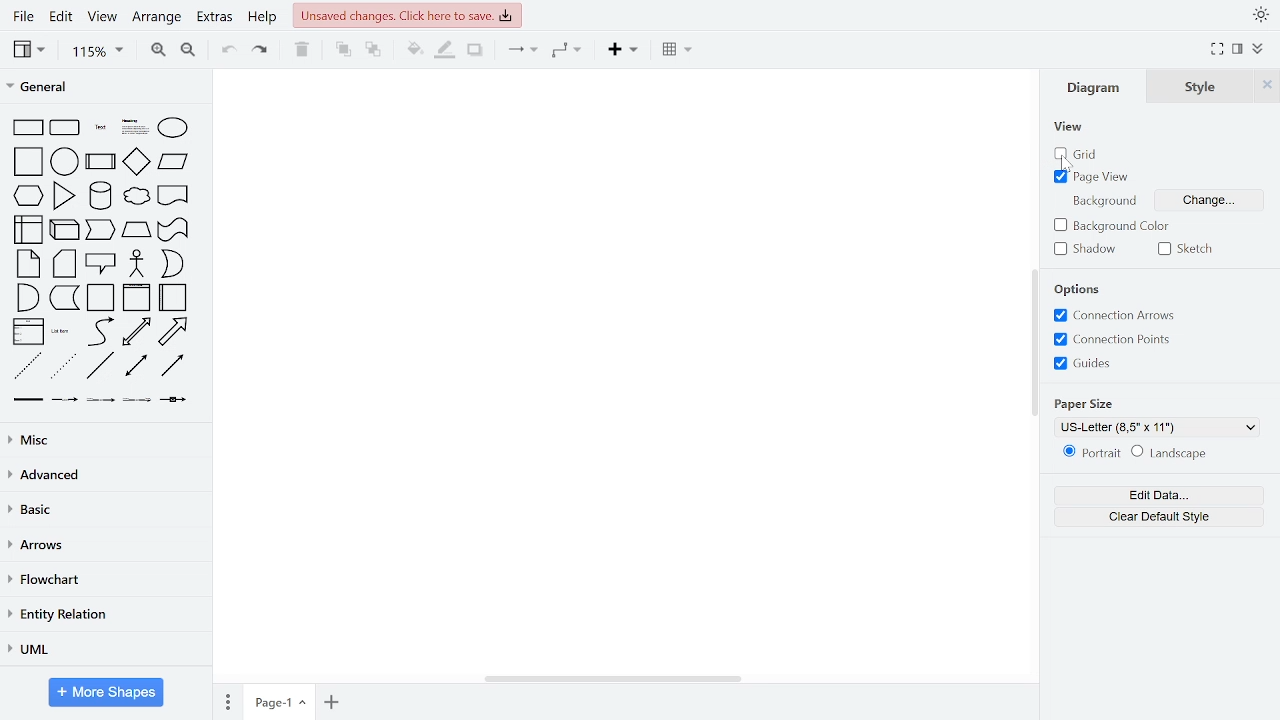 This screenshot has height=720, width=1280. Describe the element at coordinates (1105, 203) in the screenshot. I see `background` at that location.